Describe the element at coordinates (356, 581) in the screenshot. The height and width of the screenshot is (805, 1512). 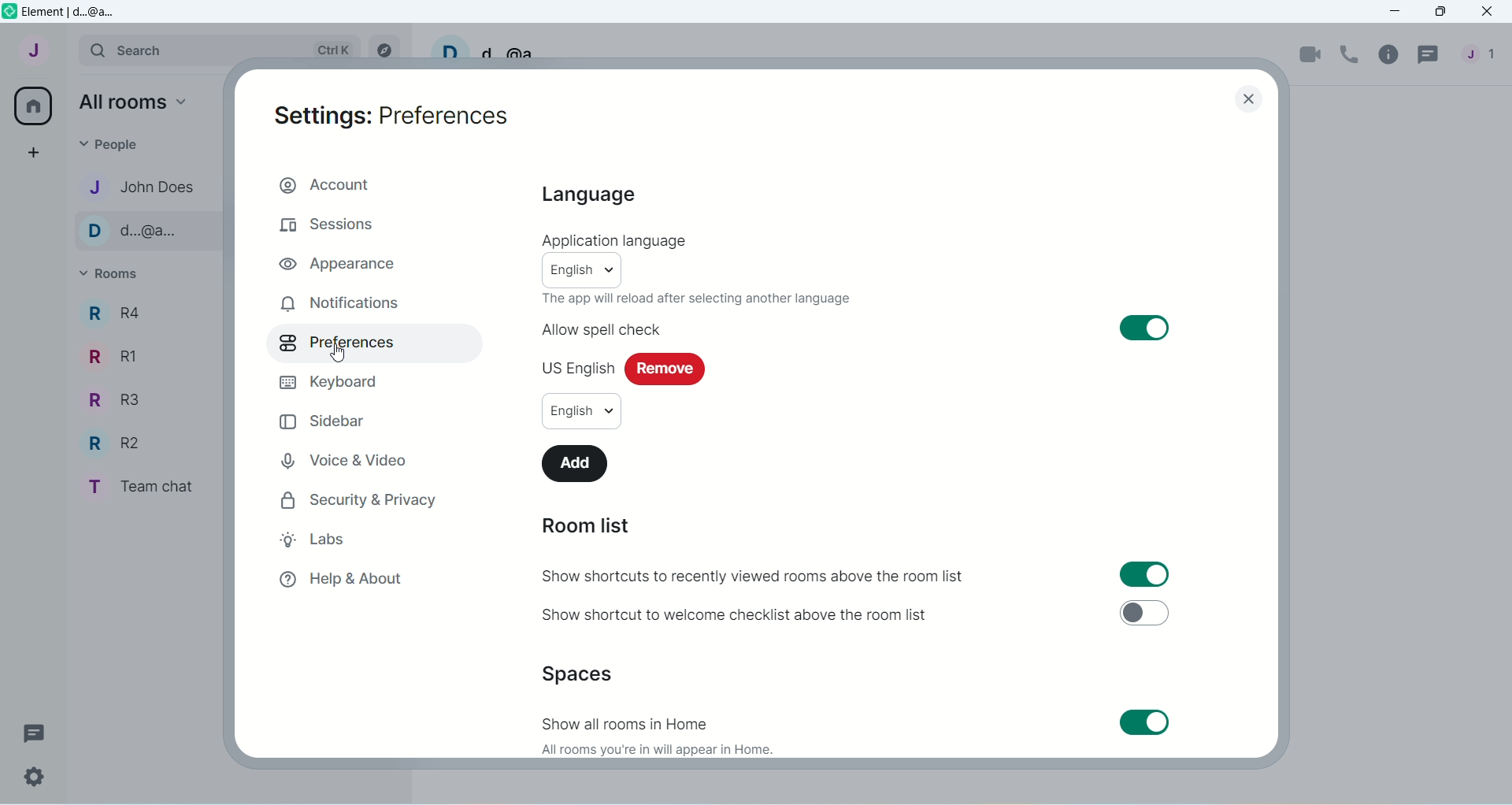
I see `Help and about` at that location.